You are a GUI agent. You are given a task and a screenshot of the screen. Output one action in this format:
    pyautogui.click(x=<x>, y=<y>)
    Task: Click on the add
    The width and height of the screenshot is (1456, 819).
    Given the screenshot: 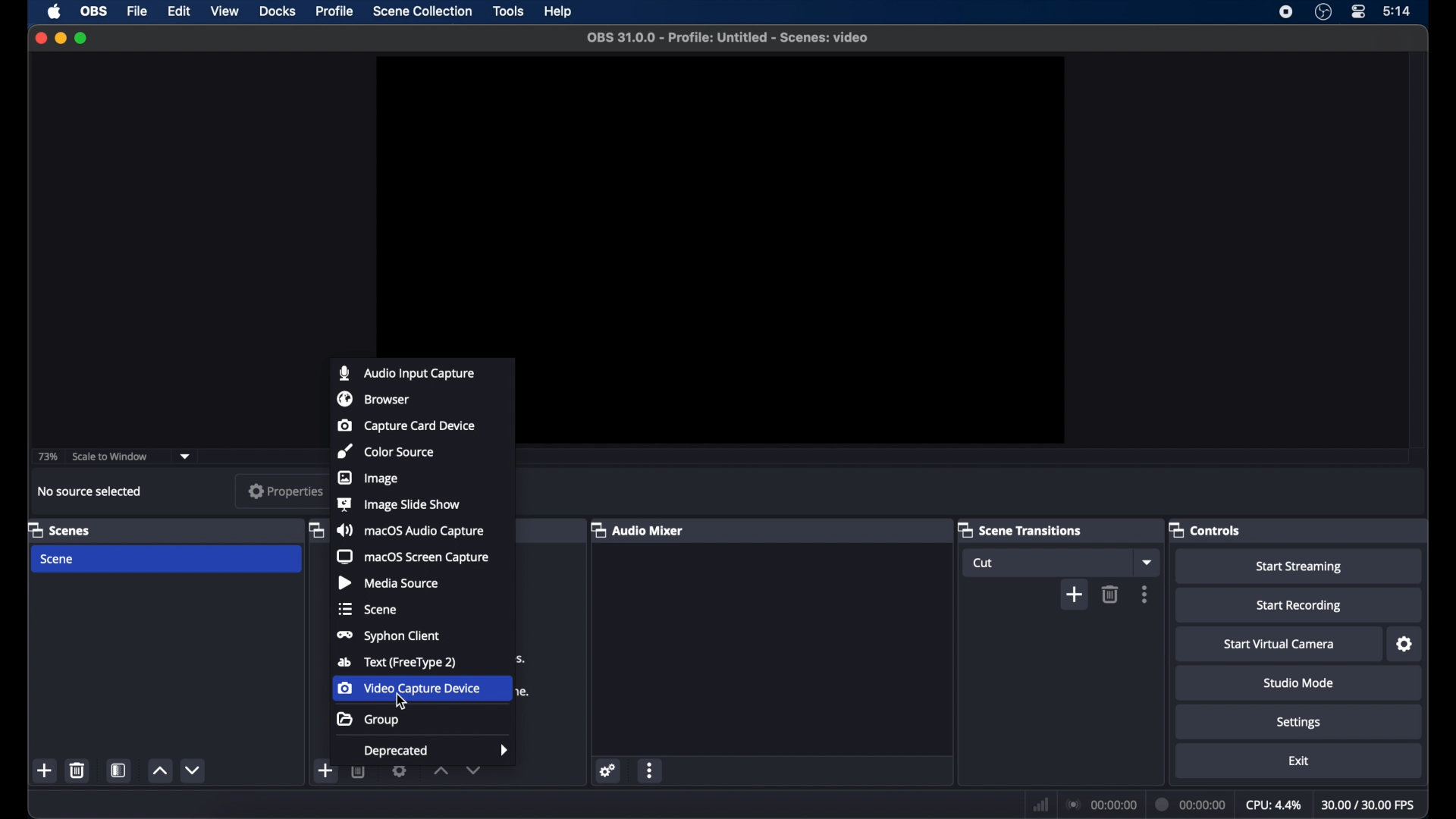 What is the action you would take?
    pyautogui.click(x=324, y=770)
    